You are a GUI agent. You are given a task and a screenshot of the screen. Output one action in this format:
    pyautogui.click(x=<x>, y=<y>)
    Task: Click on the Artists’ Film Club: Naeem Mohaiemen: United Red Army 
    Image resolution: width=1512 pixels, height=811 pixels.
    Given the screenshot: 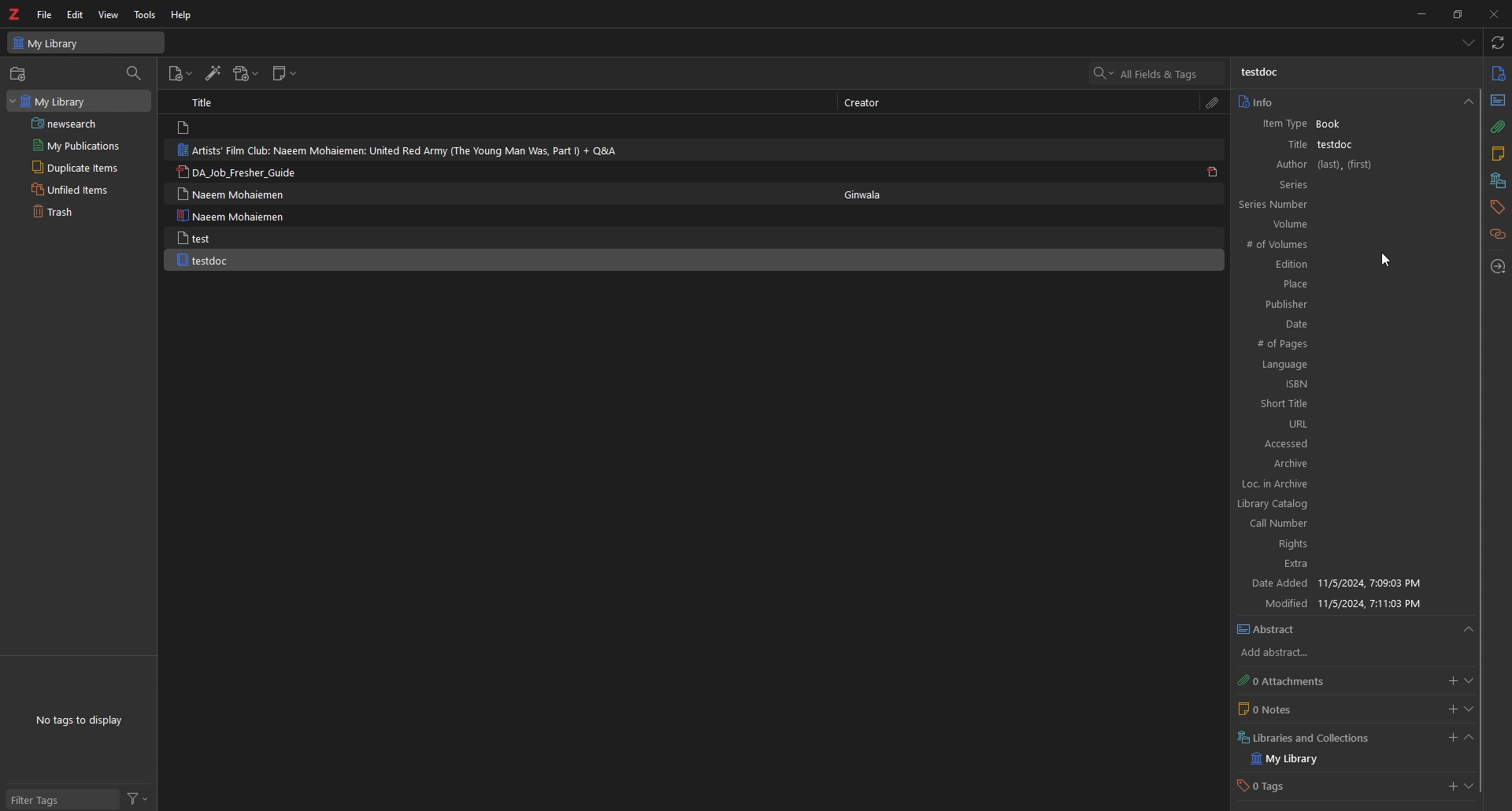 What is the action you would take?
    pyautogui.click(x=398, y=150)
    